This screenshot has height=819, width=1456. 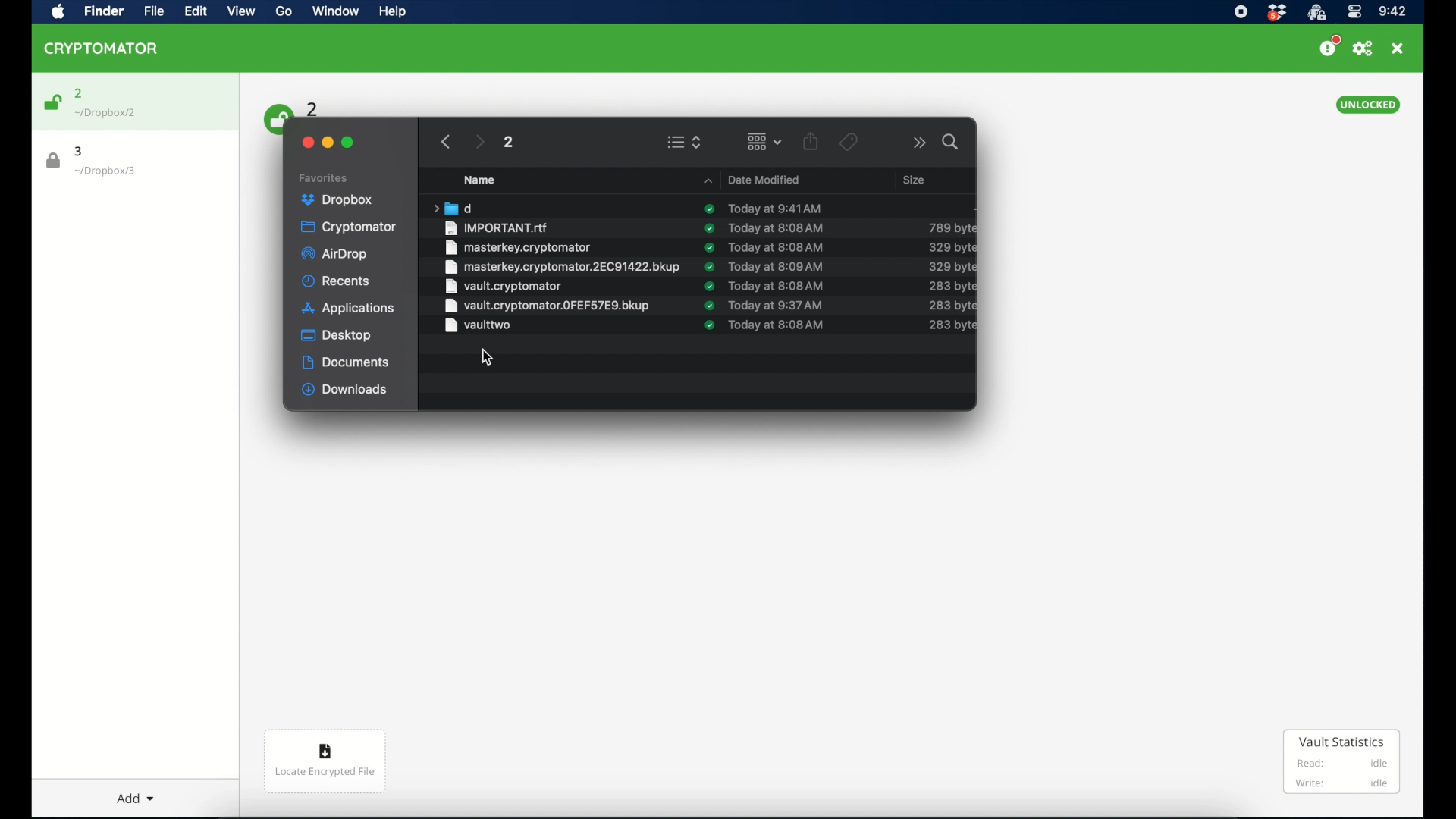 I want to click on search, so click(x=952, y=142).